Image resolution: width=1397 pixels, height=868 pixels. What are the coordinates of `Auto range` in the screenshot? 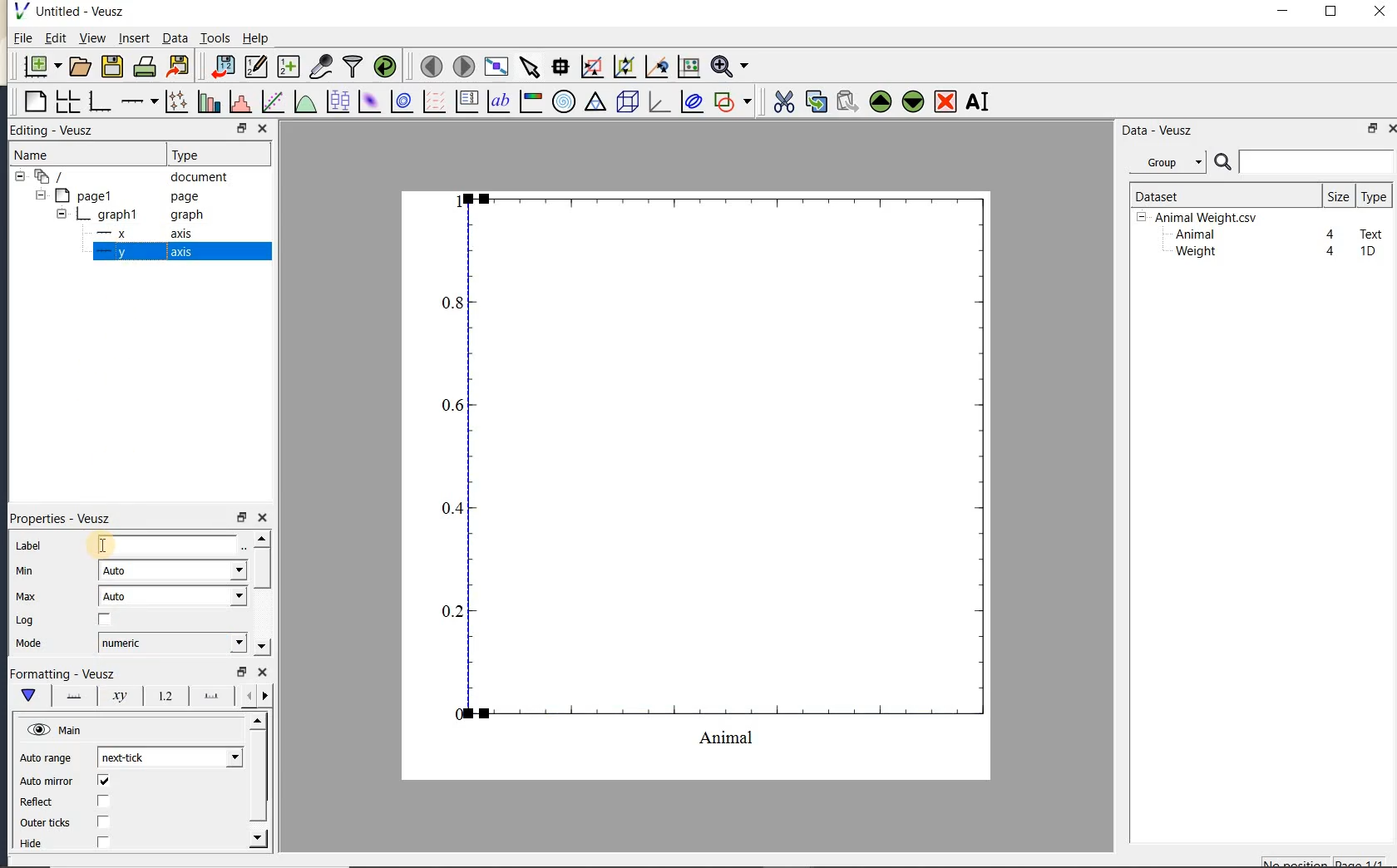 It's located at (46, 758).